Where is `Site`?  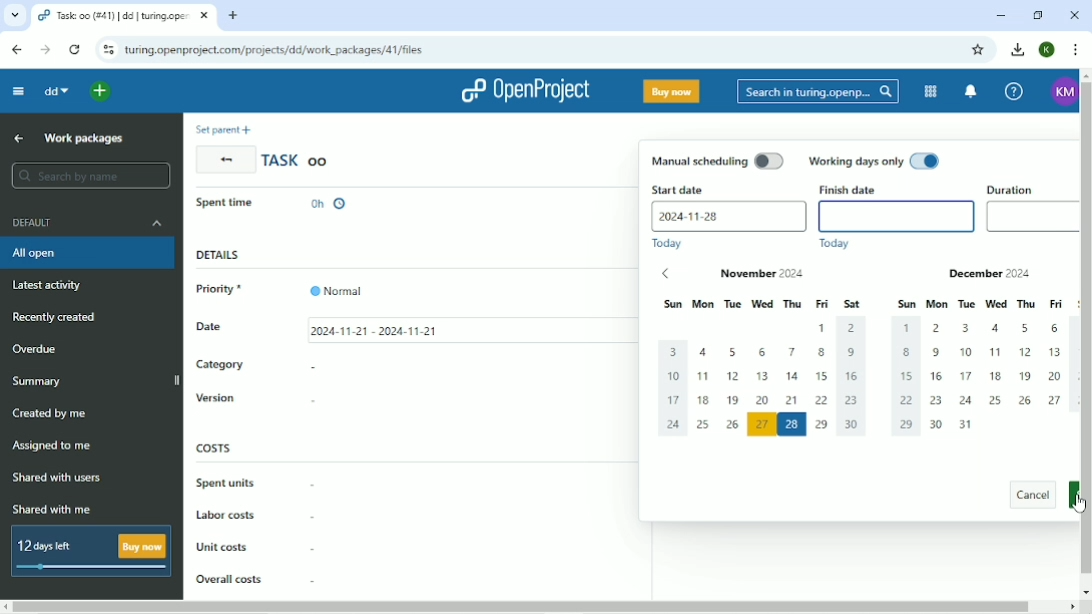 Site is located at coordinates (276, 50).